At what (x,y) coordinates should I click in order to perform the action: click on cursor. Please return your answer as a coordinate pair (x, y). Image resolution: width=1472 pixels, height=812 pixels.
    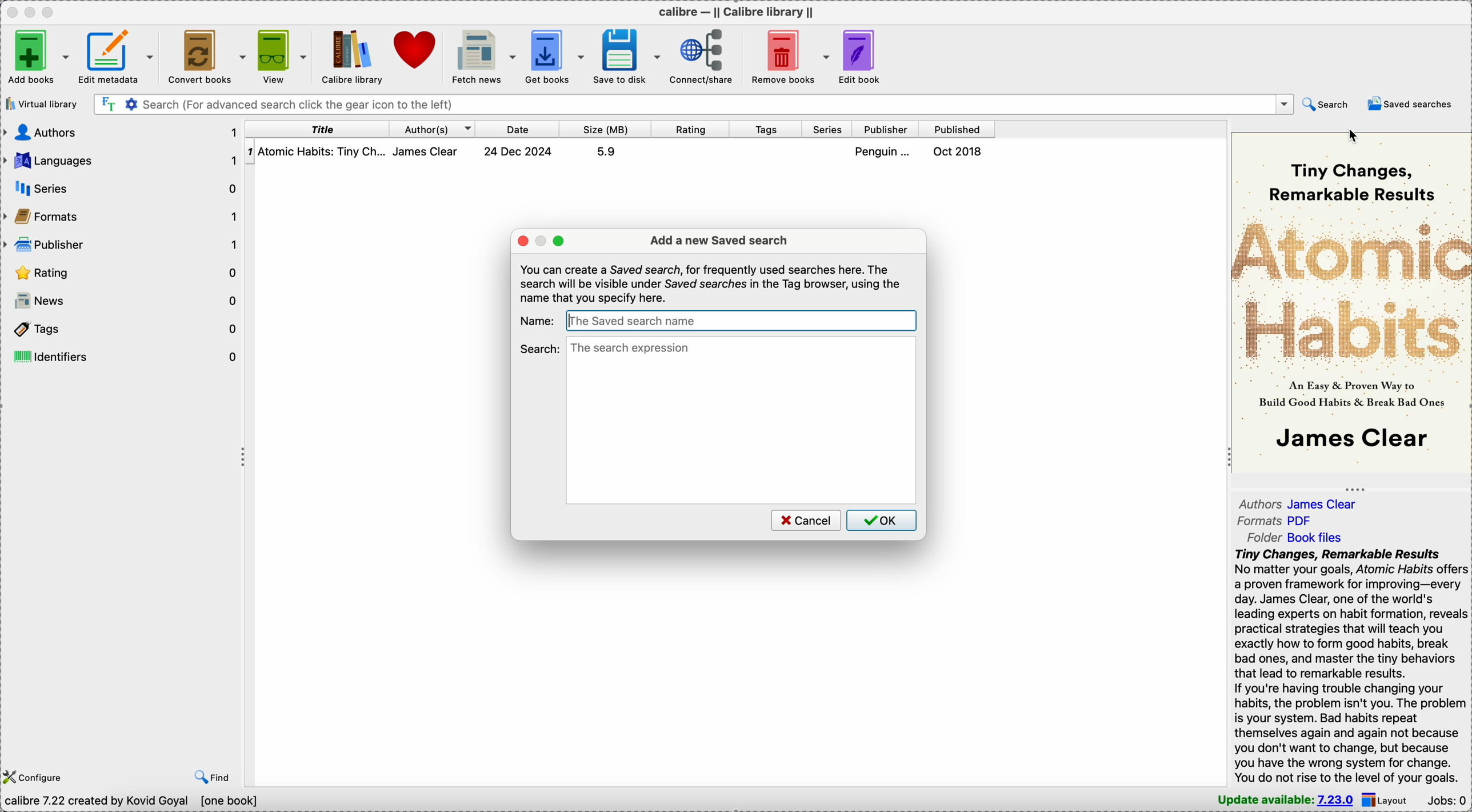
    Looking at the image, I should click on (1355, 136).